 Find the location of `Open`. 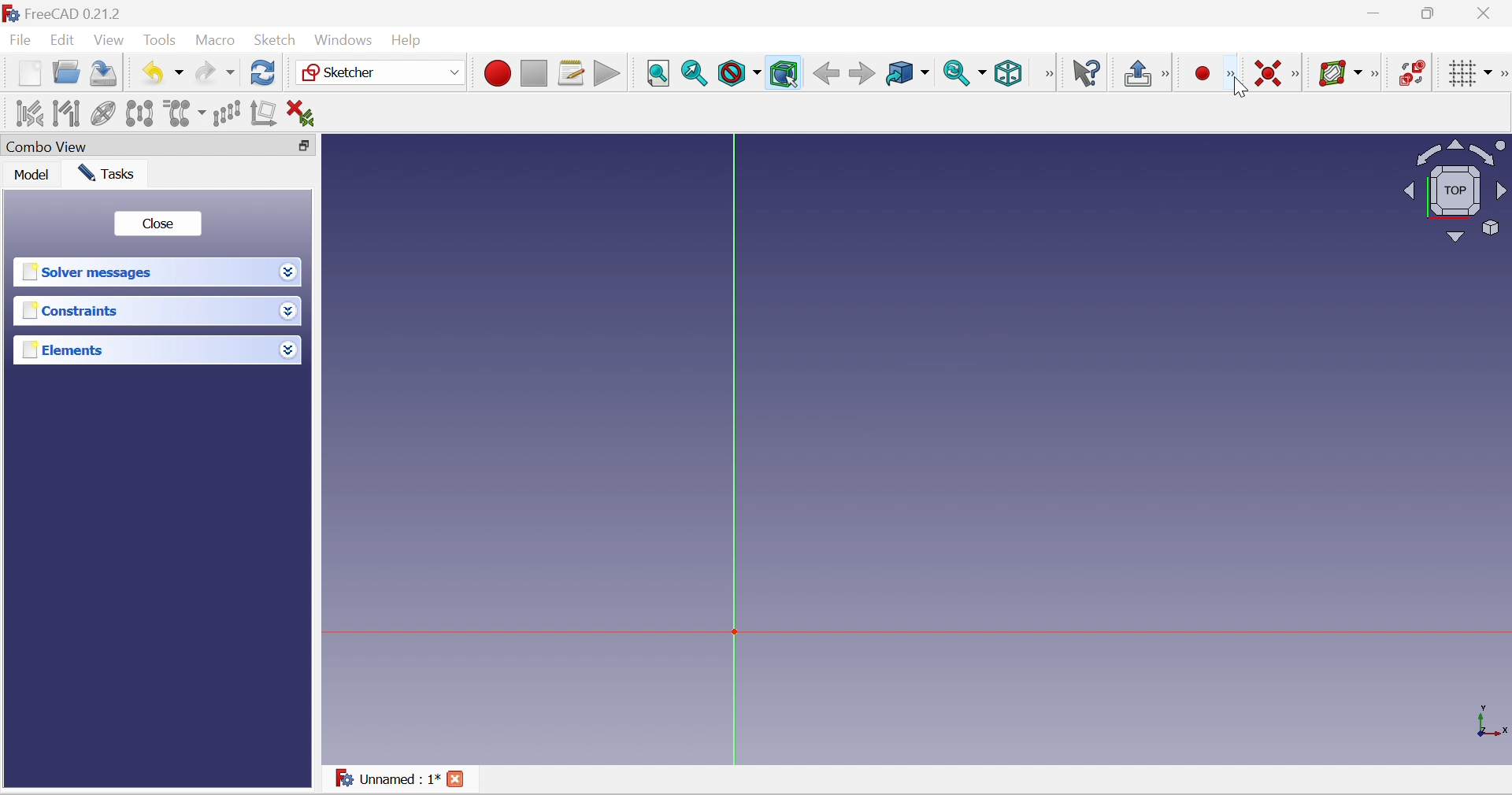

Open is located at coordinates (67, 74).